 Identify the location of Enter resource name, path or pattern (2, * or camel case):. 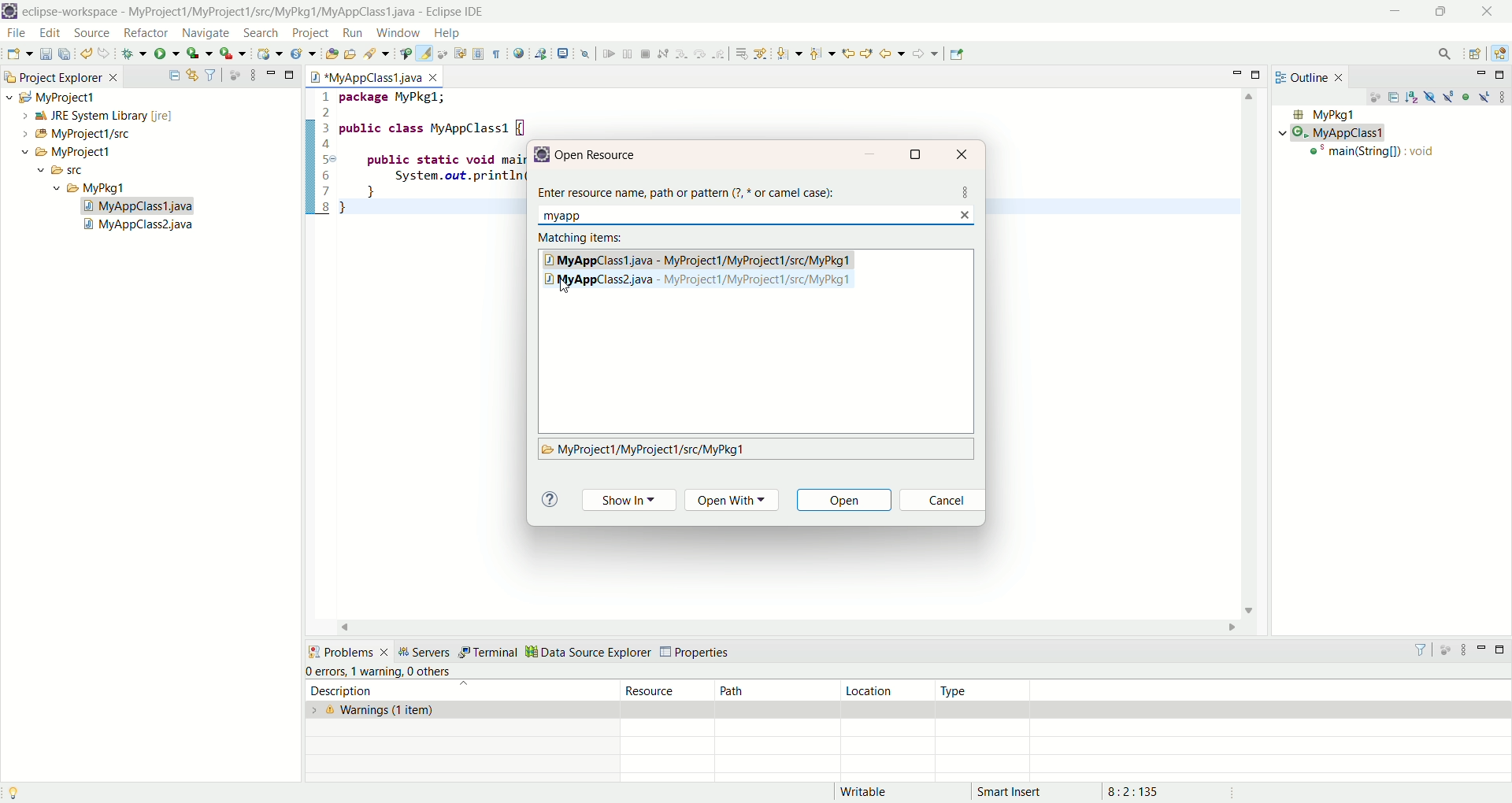
(691, 189).